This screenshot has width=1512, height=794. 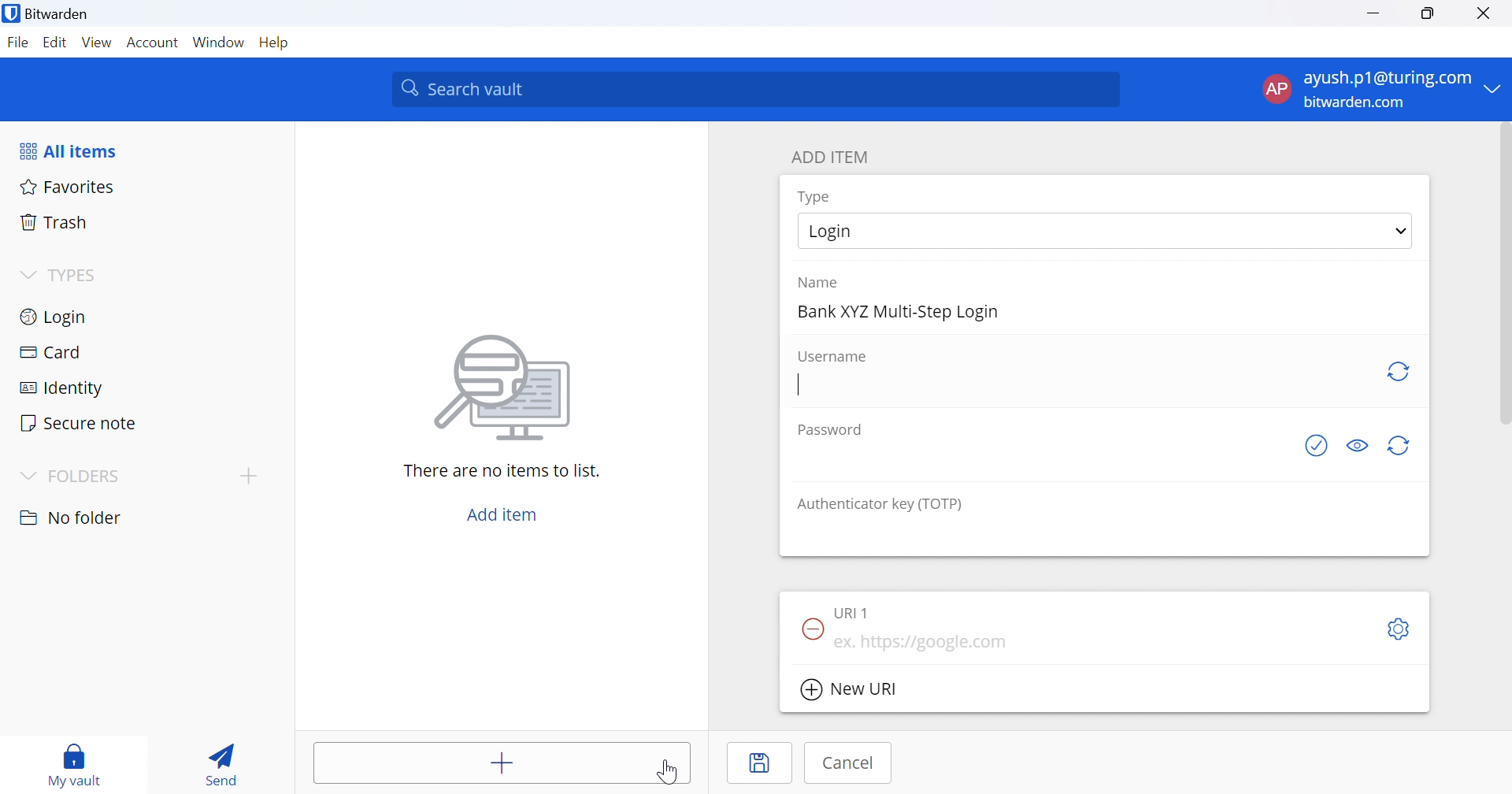 What do you see at coordinates (1316, 449) in the screenshot?
I see `Check if password has been exposed` at bounding box center [1316, 449].